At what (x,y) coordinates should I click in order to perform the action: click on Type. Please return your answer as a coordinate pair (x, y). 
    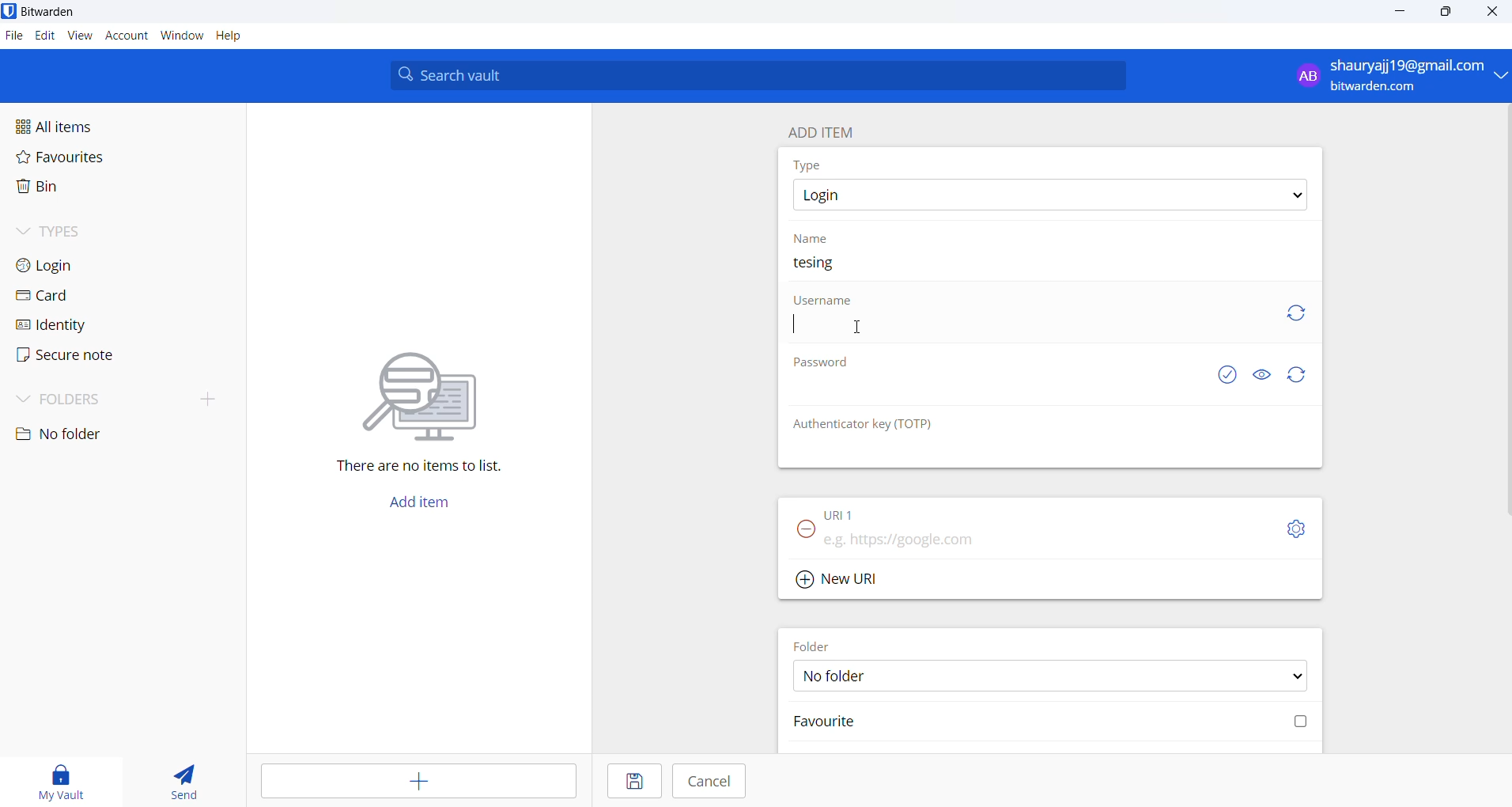
    Looking at the image, I should click on (811, 165).